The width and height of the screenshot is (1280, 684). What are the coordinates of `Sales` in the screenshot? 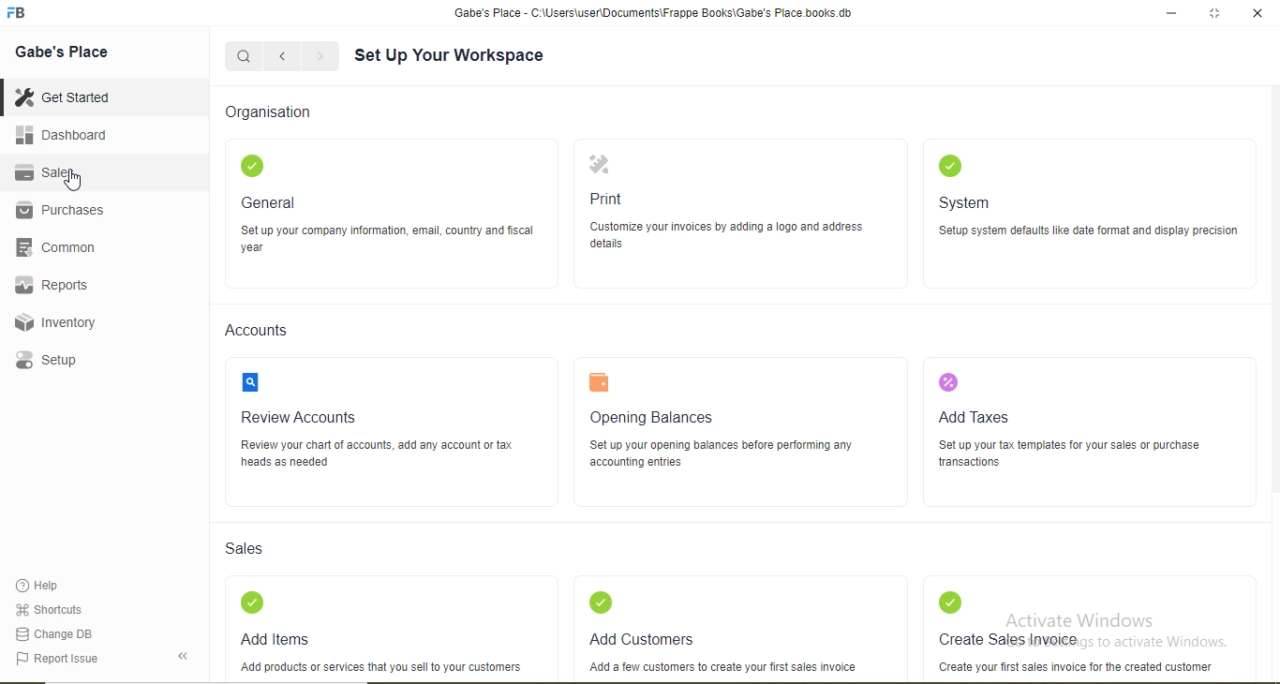 It's located at (256, 550).